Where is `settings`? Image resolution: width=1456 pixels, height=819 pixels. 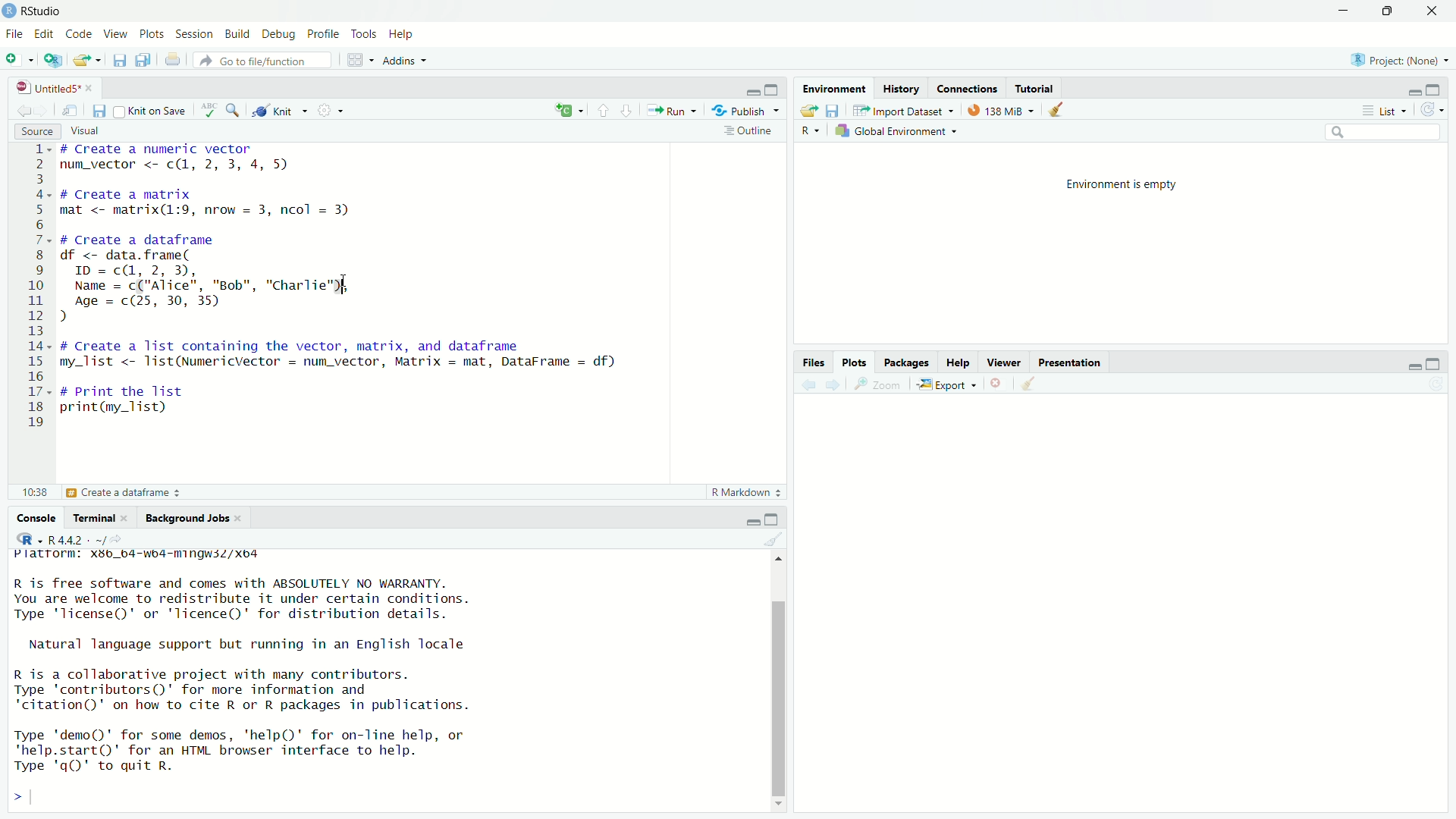 settings is located at coordinates (333, 112).